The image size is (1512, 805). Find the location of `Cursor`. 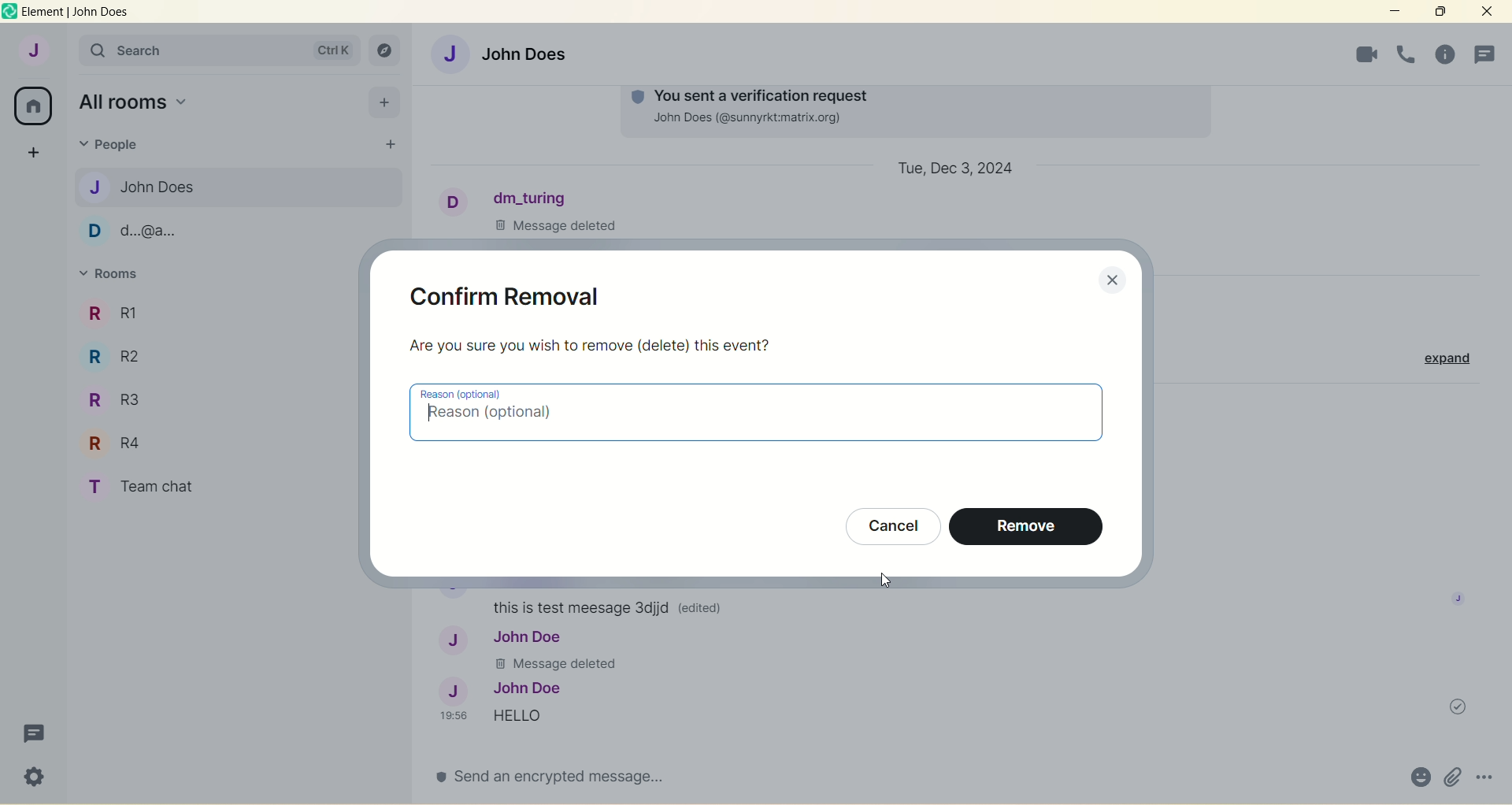

Cursor is located at coordinates (880, 582).